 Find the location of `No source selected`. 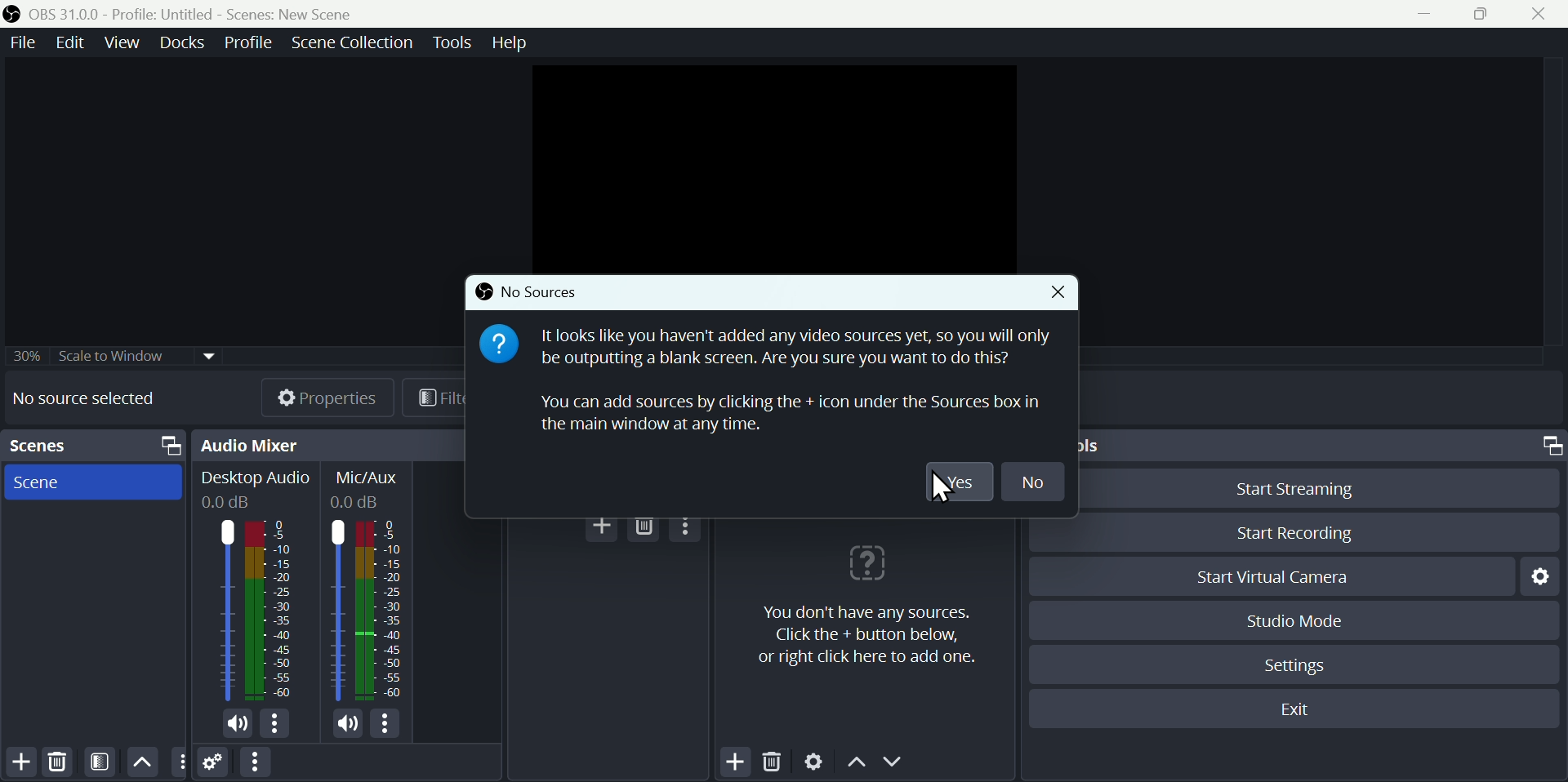

No source selected is located at coordinates (95, 398).